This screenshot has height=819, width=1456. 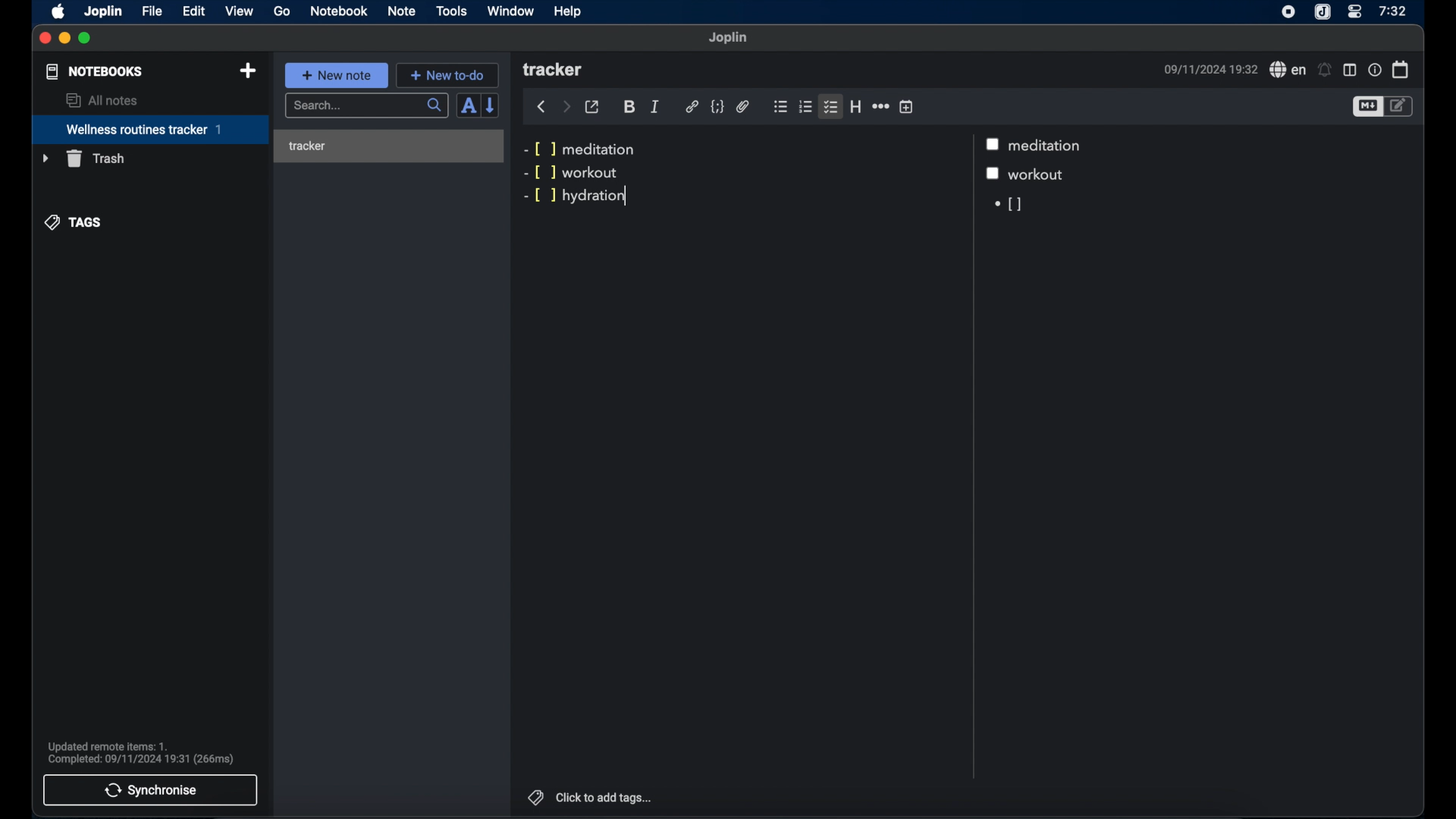 I want to click on edit, so click(x=193, y=11).